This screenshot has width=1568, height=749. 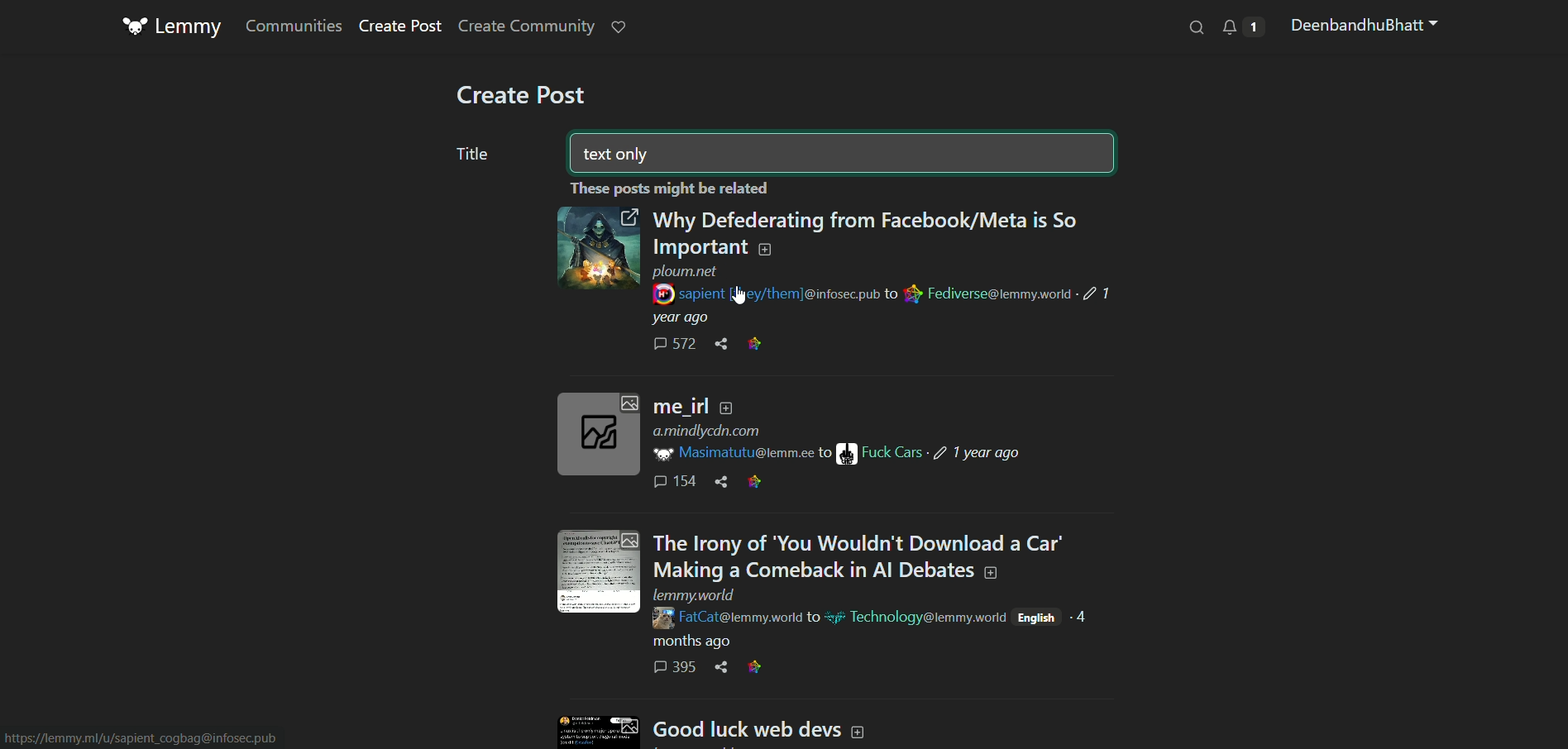 I want to click on Comments, so click(x=675, y=344).